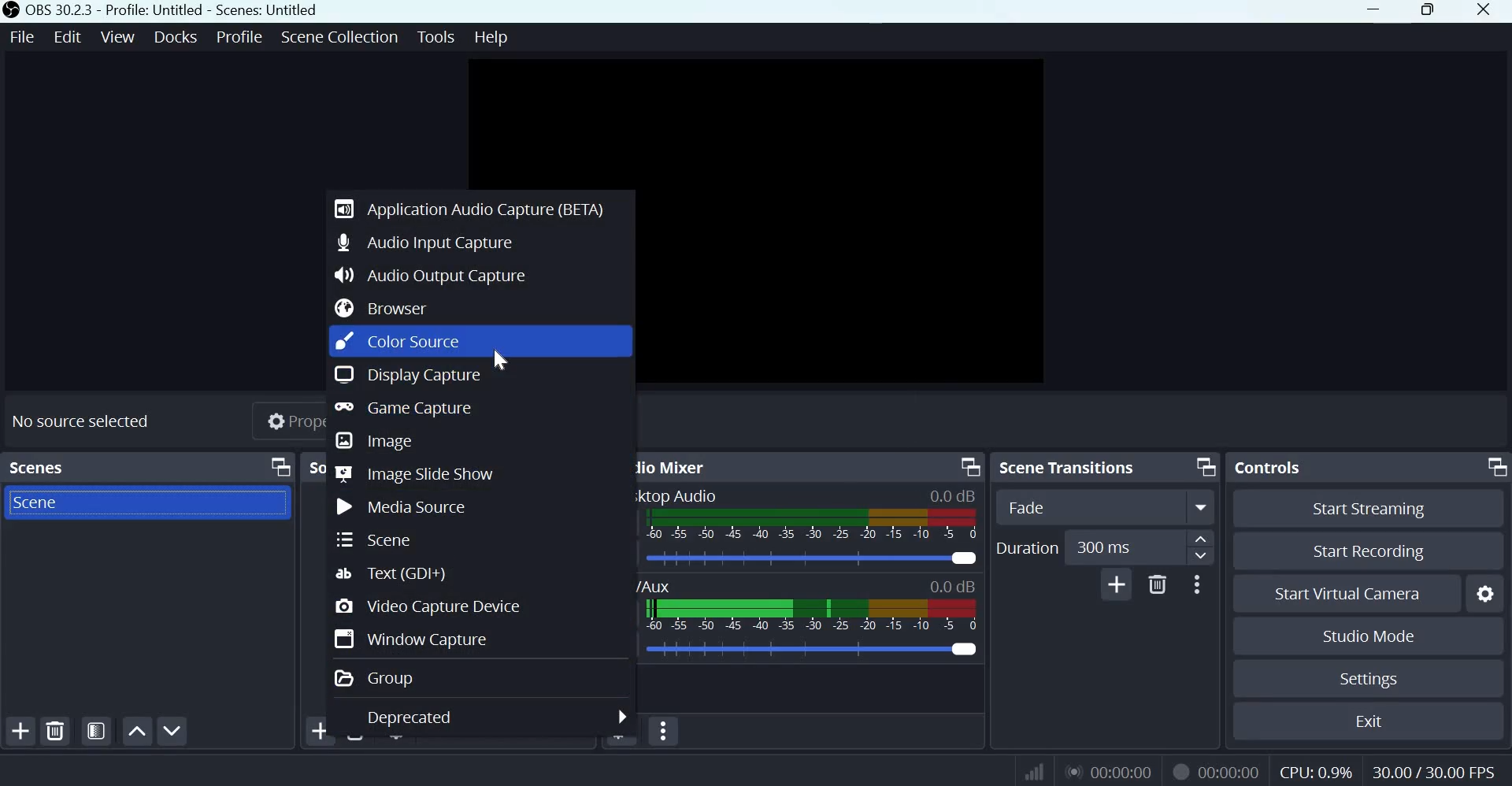 The image size is (1512, 786). I want to click on Maximize, so click(1428, 11).